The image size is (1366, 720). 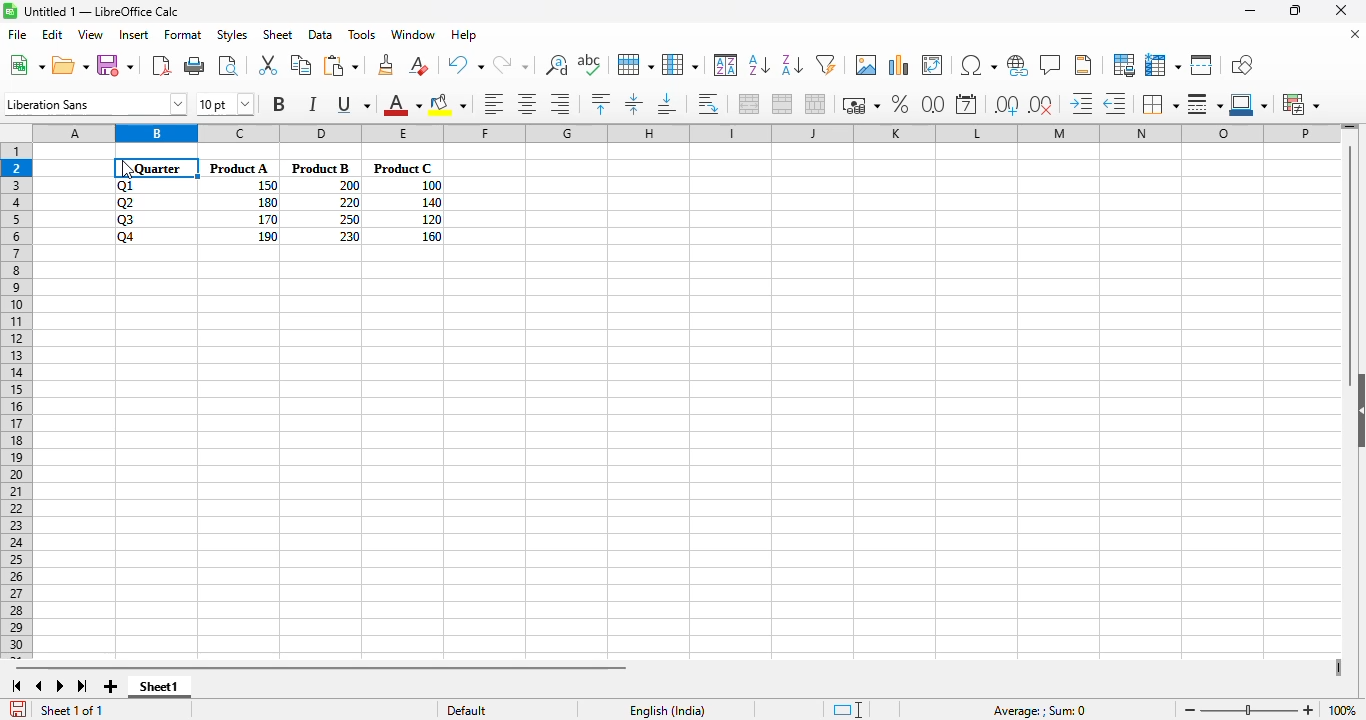 I want to click on Software logo, so click(x=10, y=11).